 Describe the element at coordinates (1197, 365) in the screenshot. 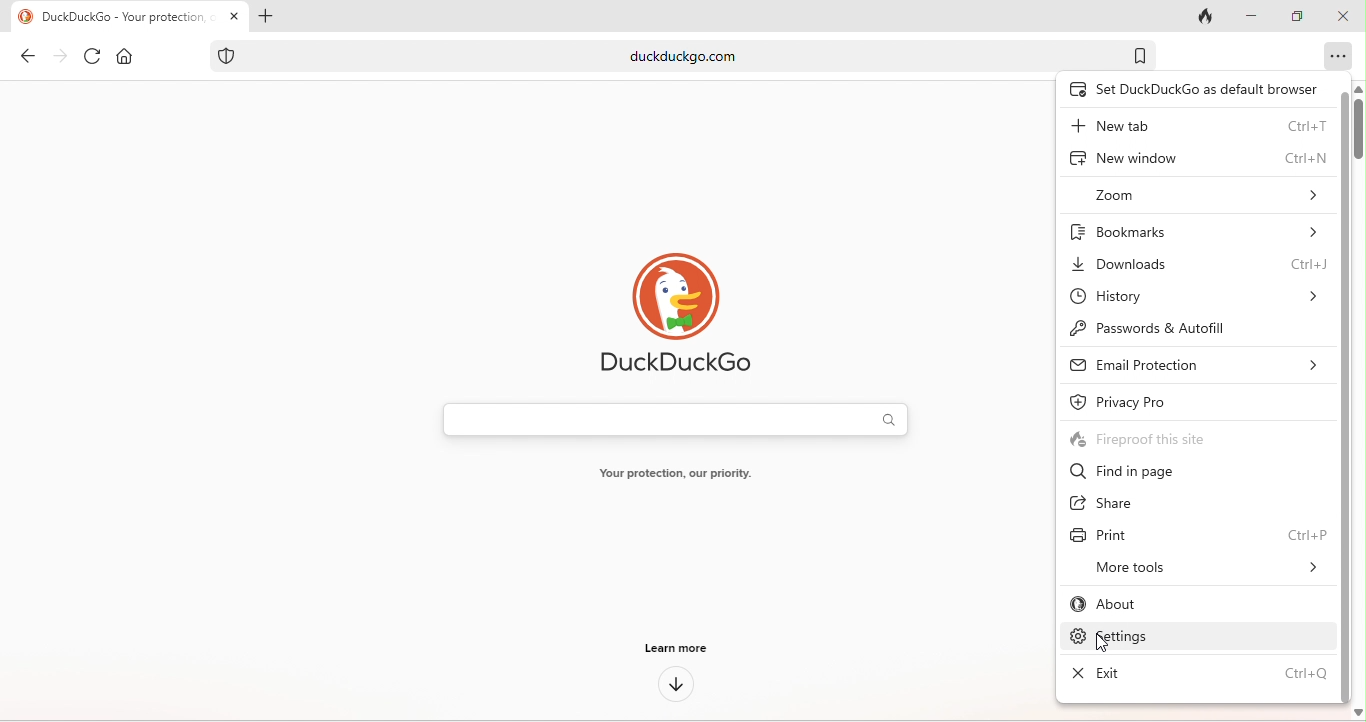

I see `email protection` at that location.